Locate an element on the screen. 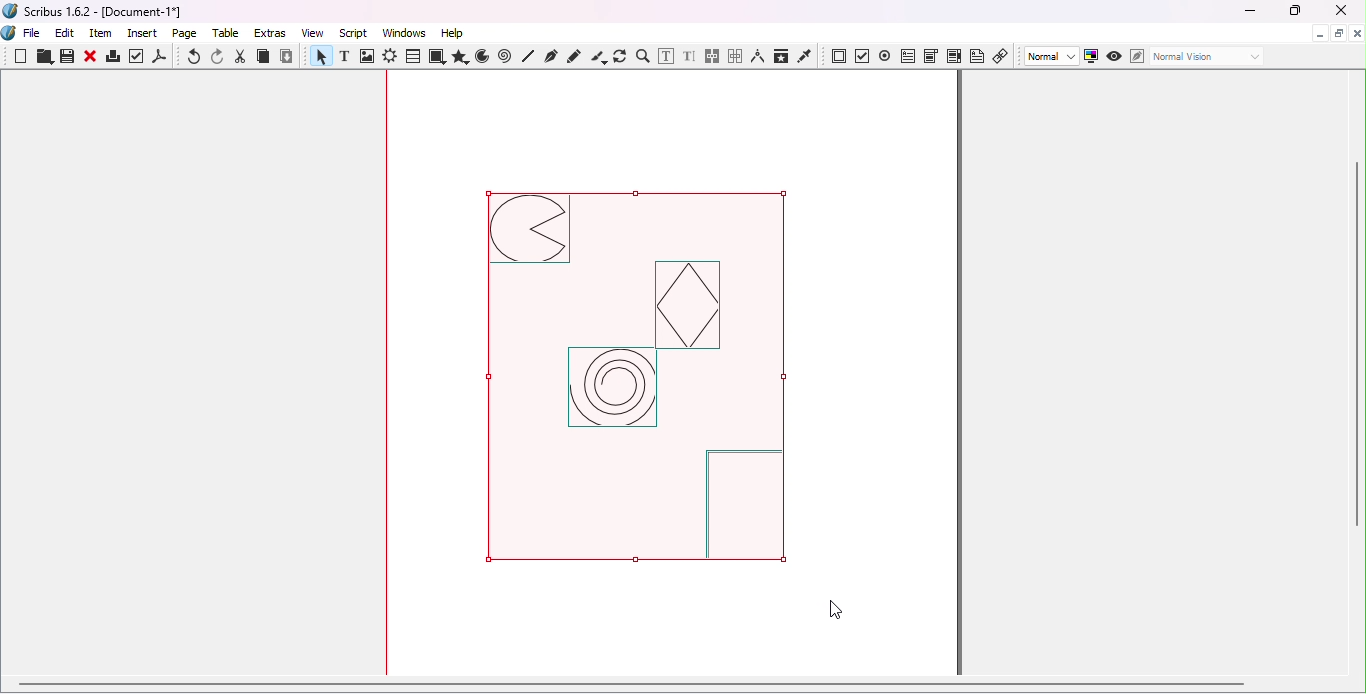  View is located at coordinates (317, 32).